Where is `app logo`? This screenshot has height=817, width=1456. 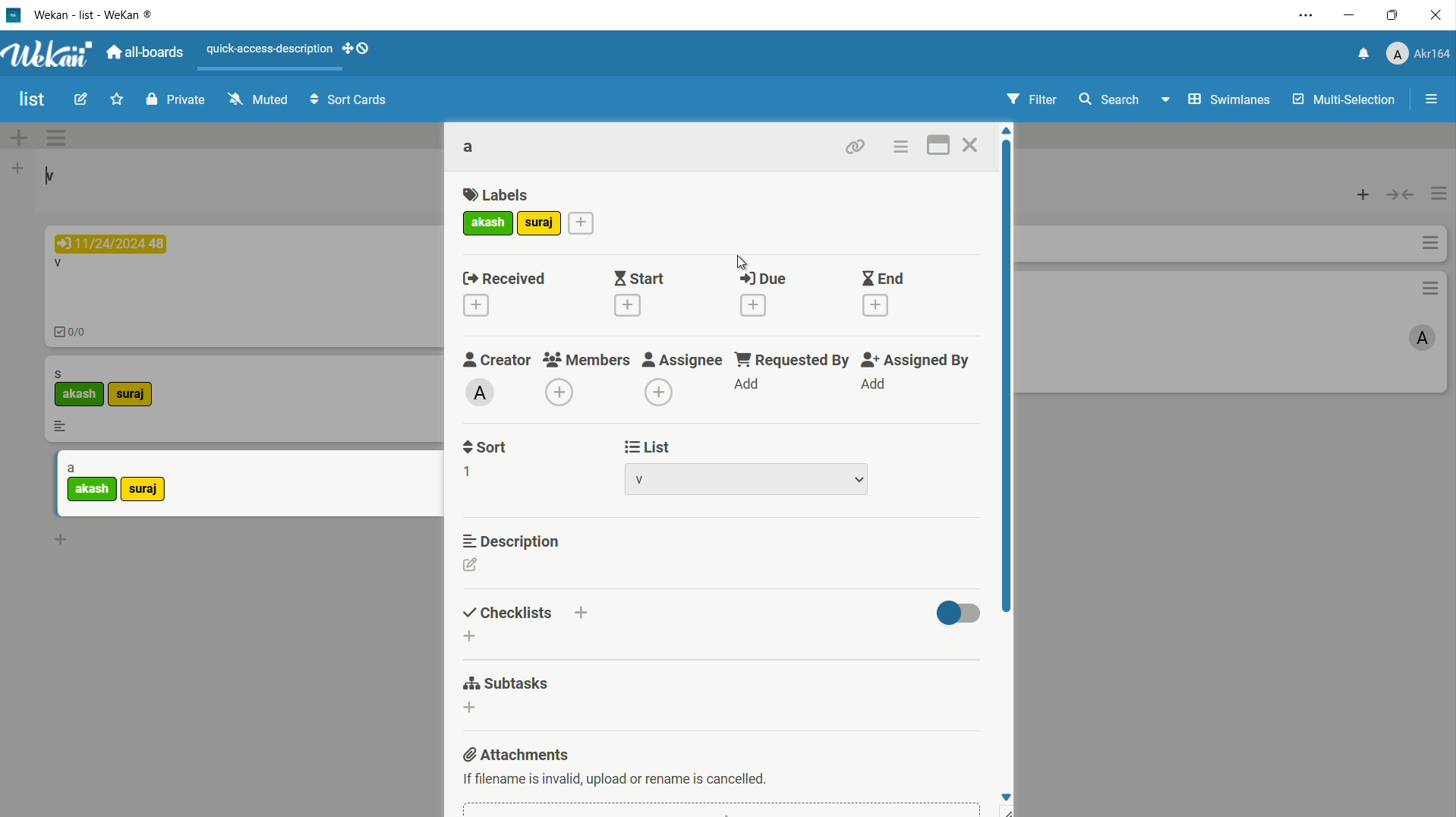
app logo is located at coordinates (49, 52).